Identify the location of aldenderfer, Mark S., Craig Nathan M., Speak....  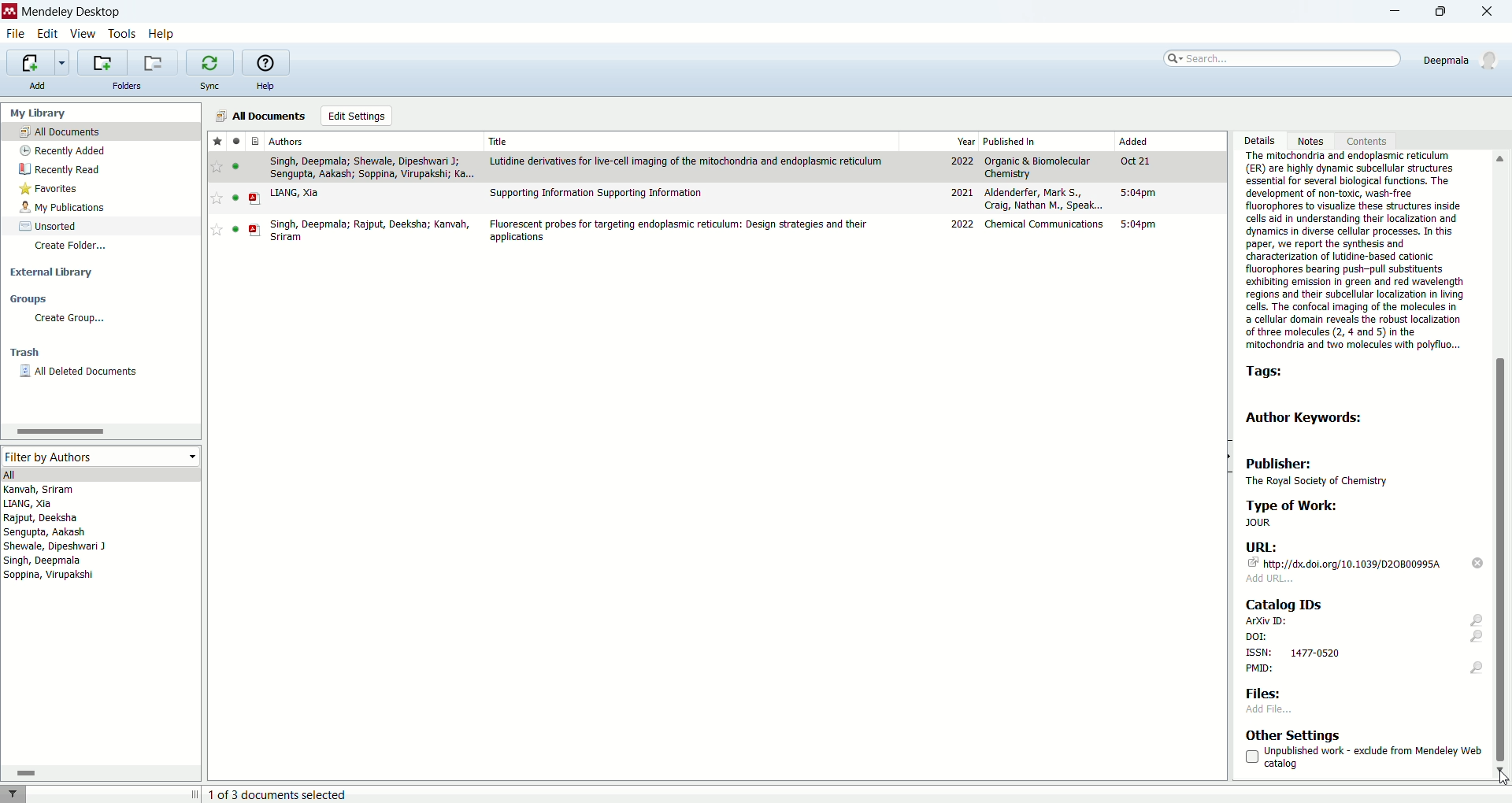
(1044, 198).